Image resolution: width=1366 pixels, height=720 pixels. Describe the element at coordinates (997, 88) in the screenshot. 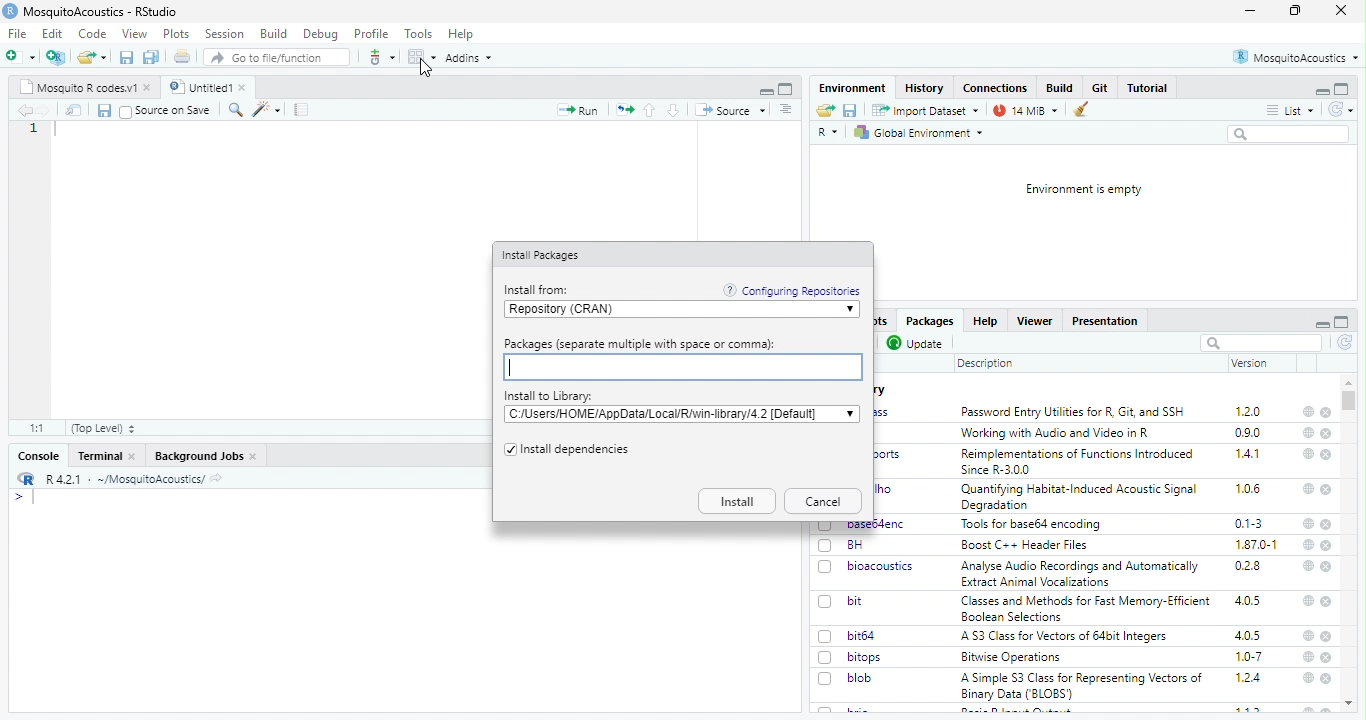

I see `Connections` at that location.